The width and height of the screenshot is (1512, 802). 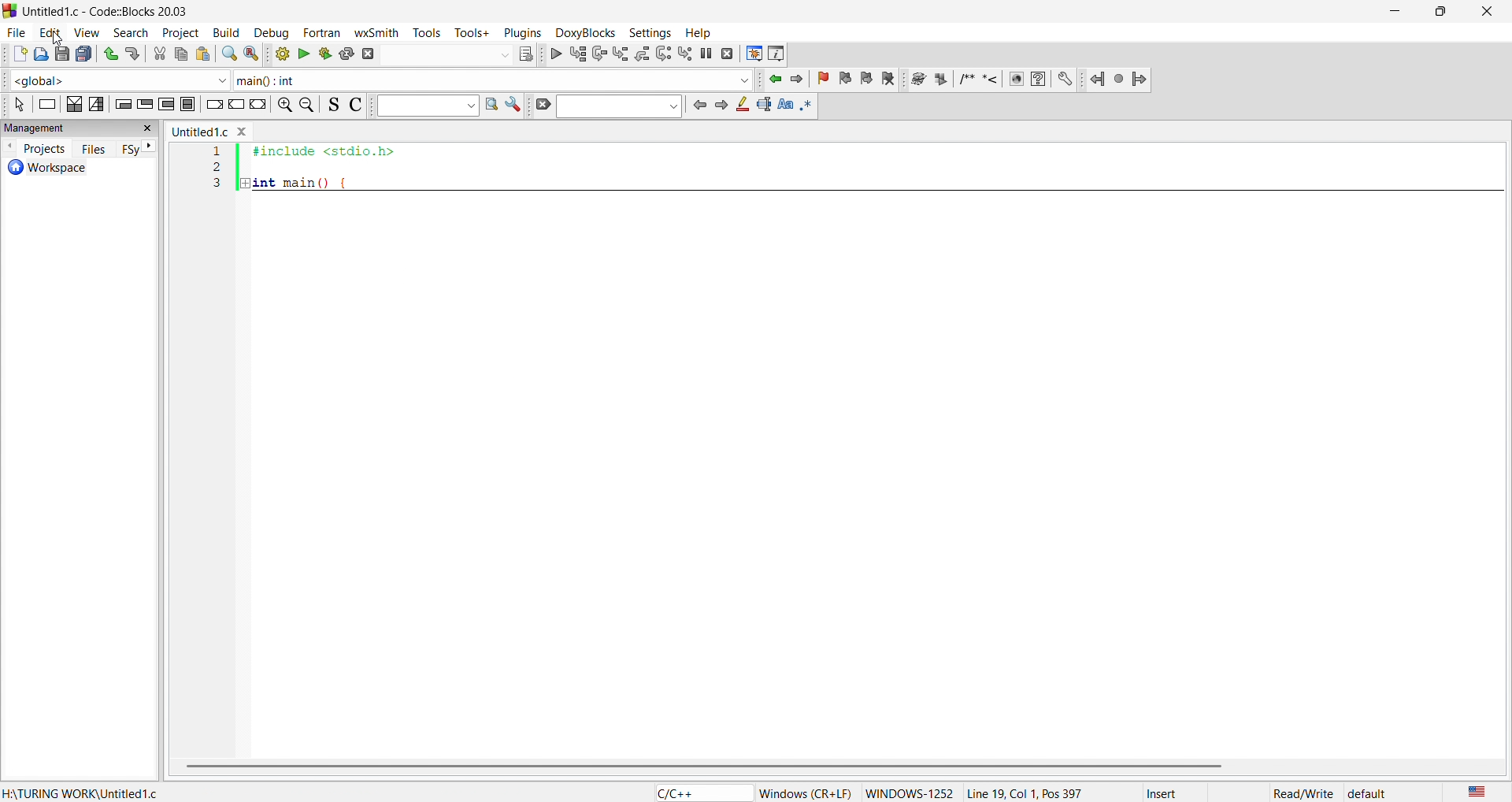 What do you see at coordinates (513, 106) in the screenshot?
I see `settings` at bounding box center [513, 106].